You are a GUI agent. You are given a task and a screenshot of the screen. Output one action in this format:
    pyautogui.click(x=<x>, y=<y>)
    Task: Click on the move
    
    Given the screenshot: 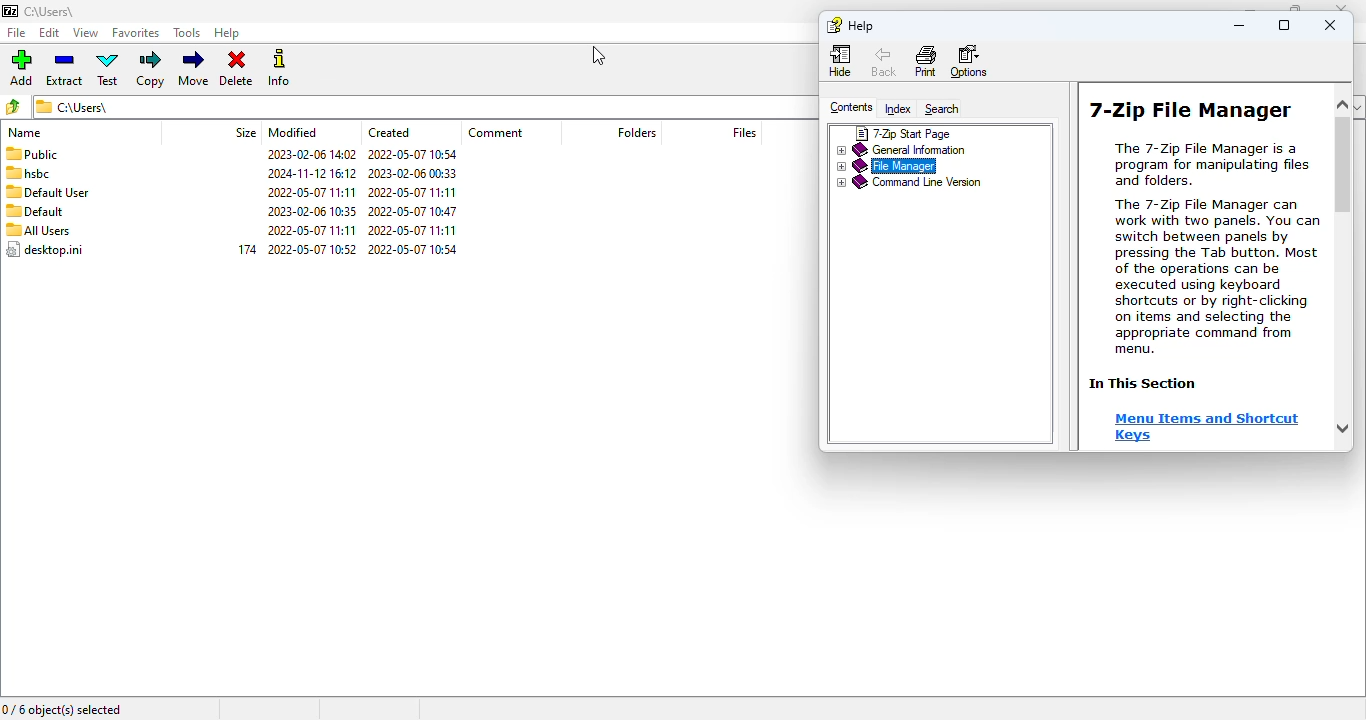 What is the action you would take?
    pyautogui.click(x=193, y=70)
    